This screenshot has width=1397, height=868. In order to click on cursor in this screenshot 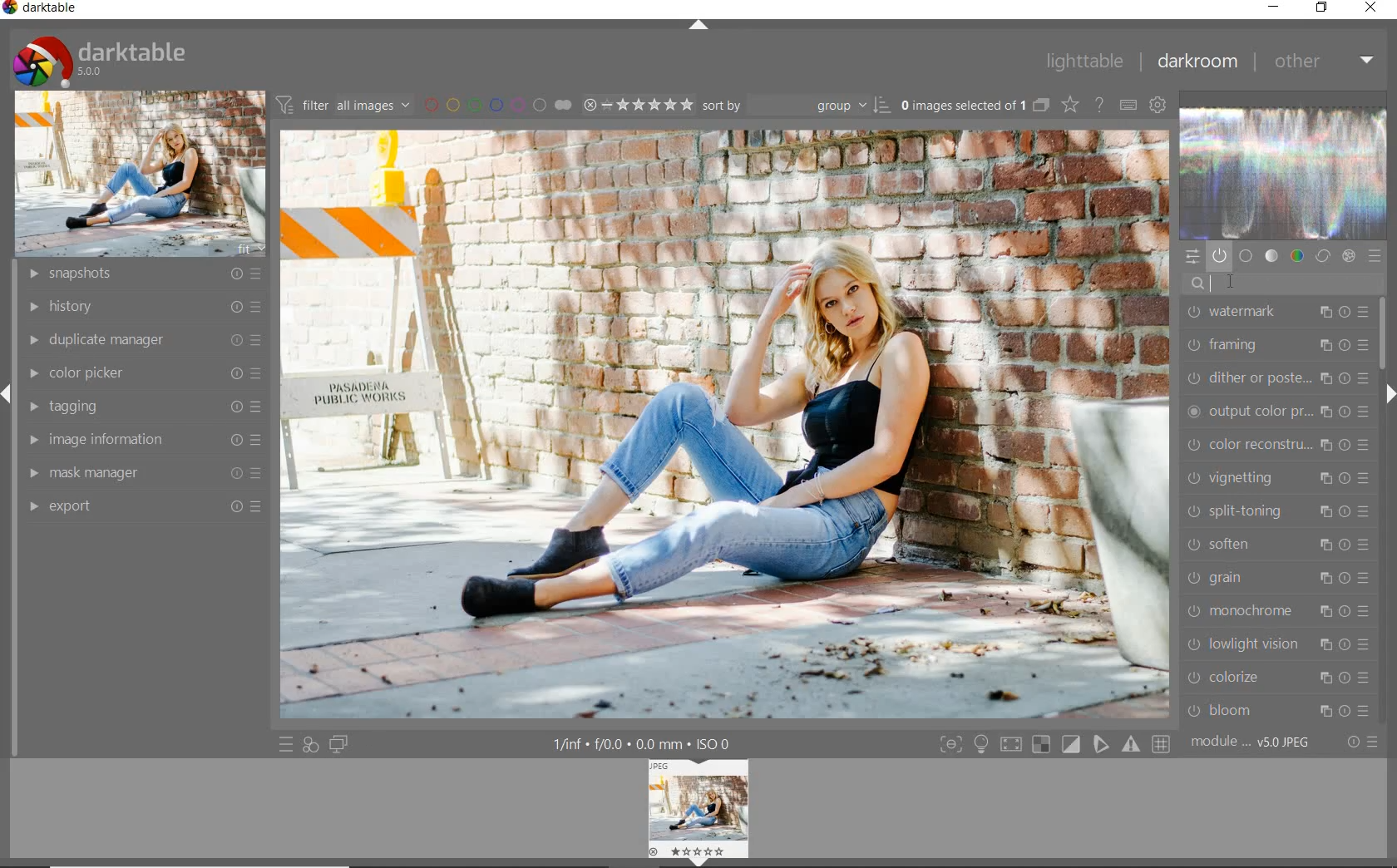, I will do `click(1231, 280)`.